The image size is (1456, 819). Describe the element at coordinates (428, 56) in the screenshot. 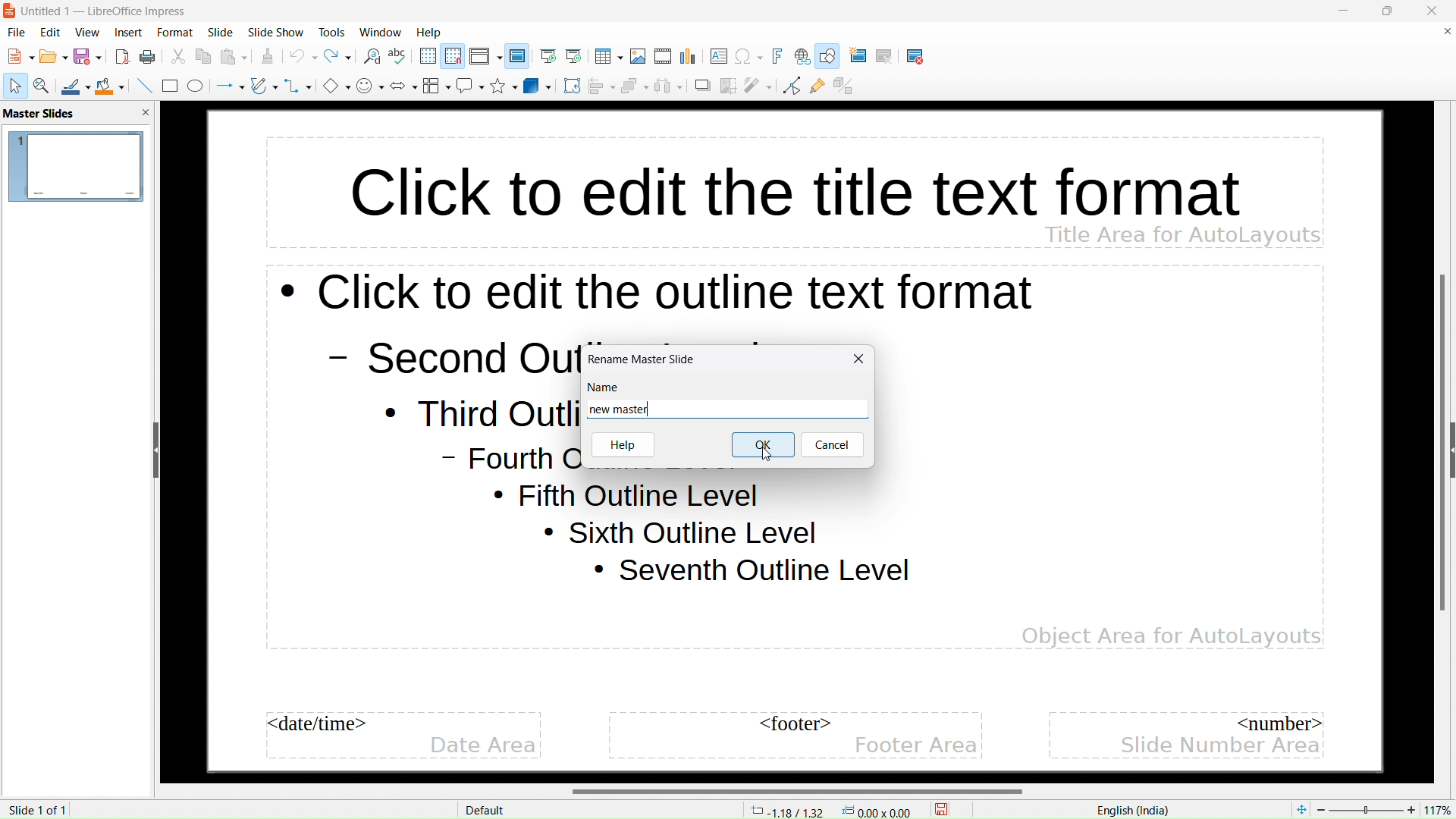

I see `display grid` at that location.